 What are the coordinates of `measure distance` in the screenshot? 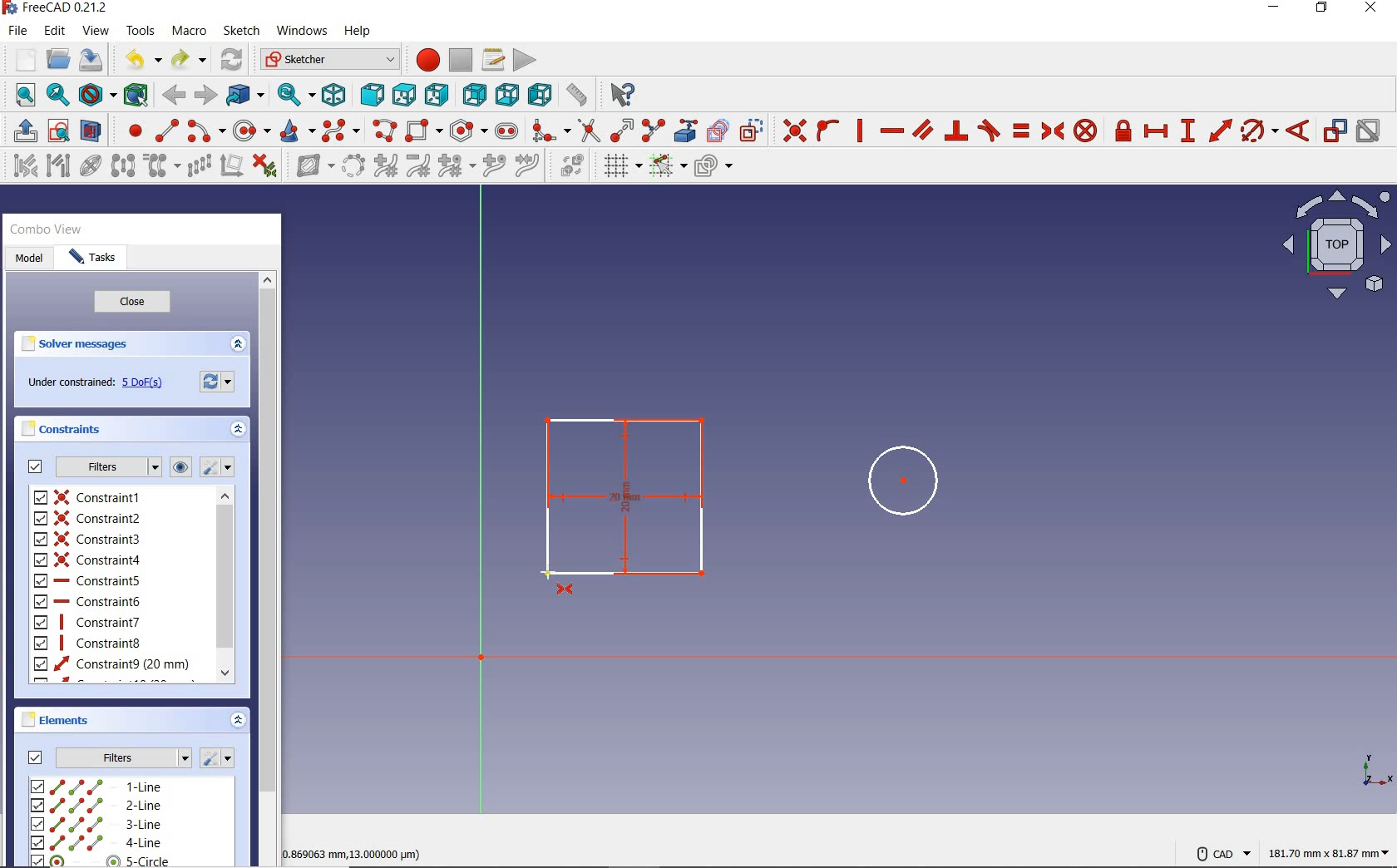 It's located at (578, 94).